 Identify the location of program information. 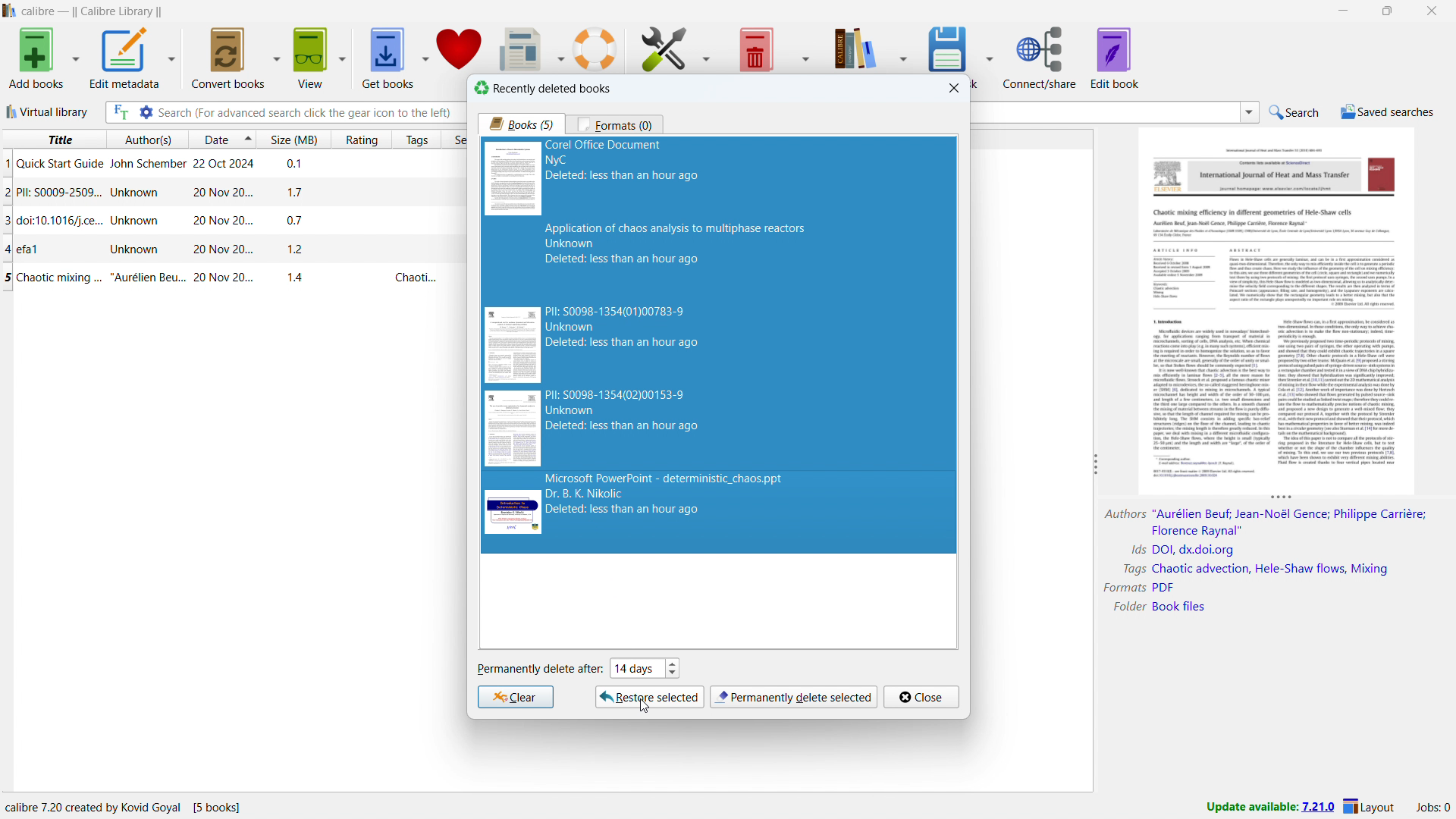
(128, 806).